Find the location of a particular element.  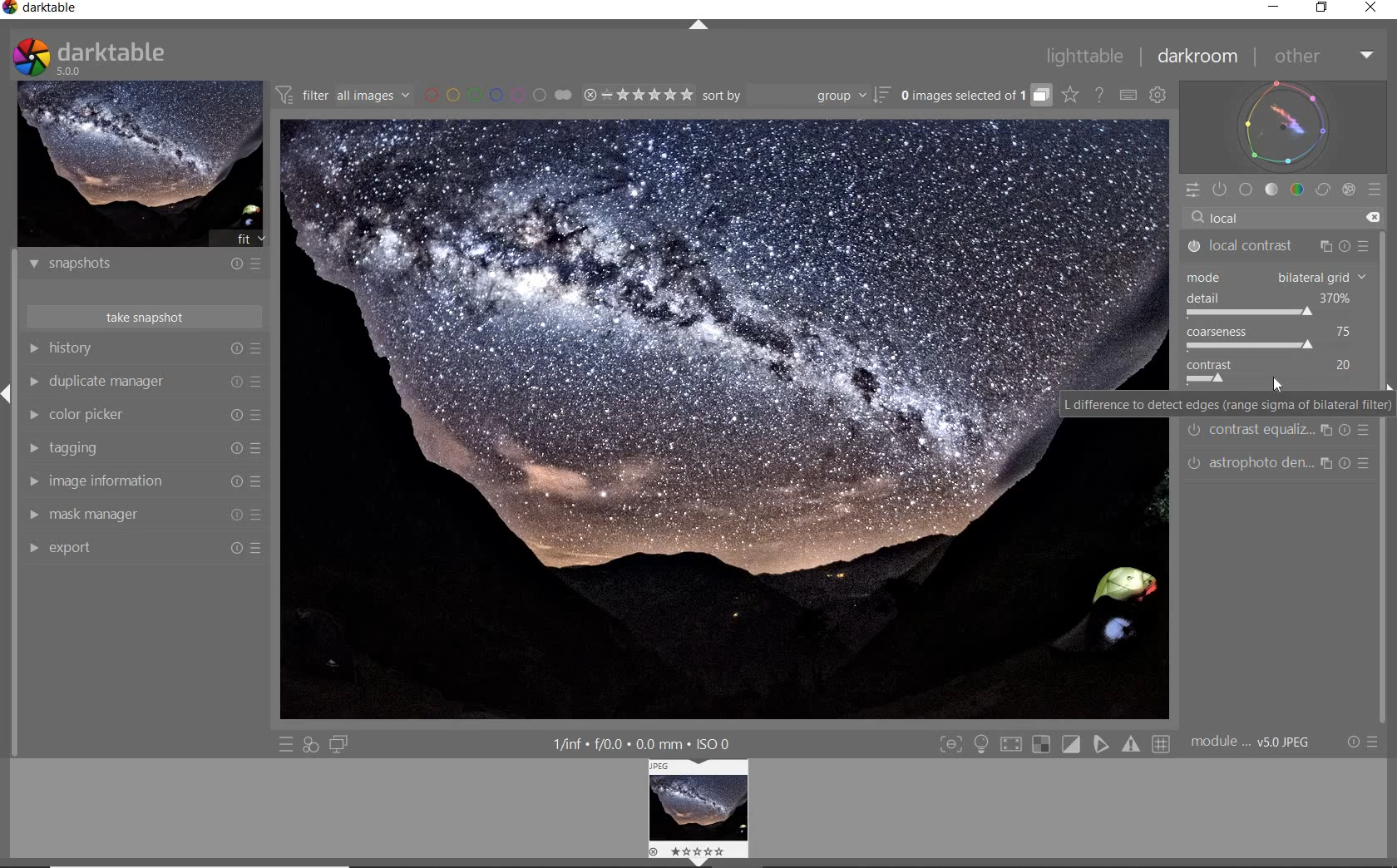

reset parameters is located at coordinates (1349, 241).